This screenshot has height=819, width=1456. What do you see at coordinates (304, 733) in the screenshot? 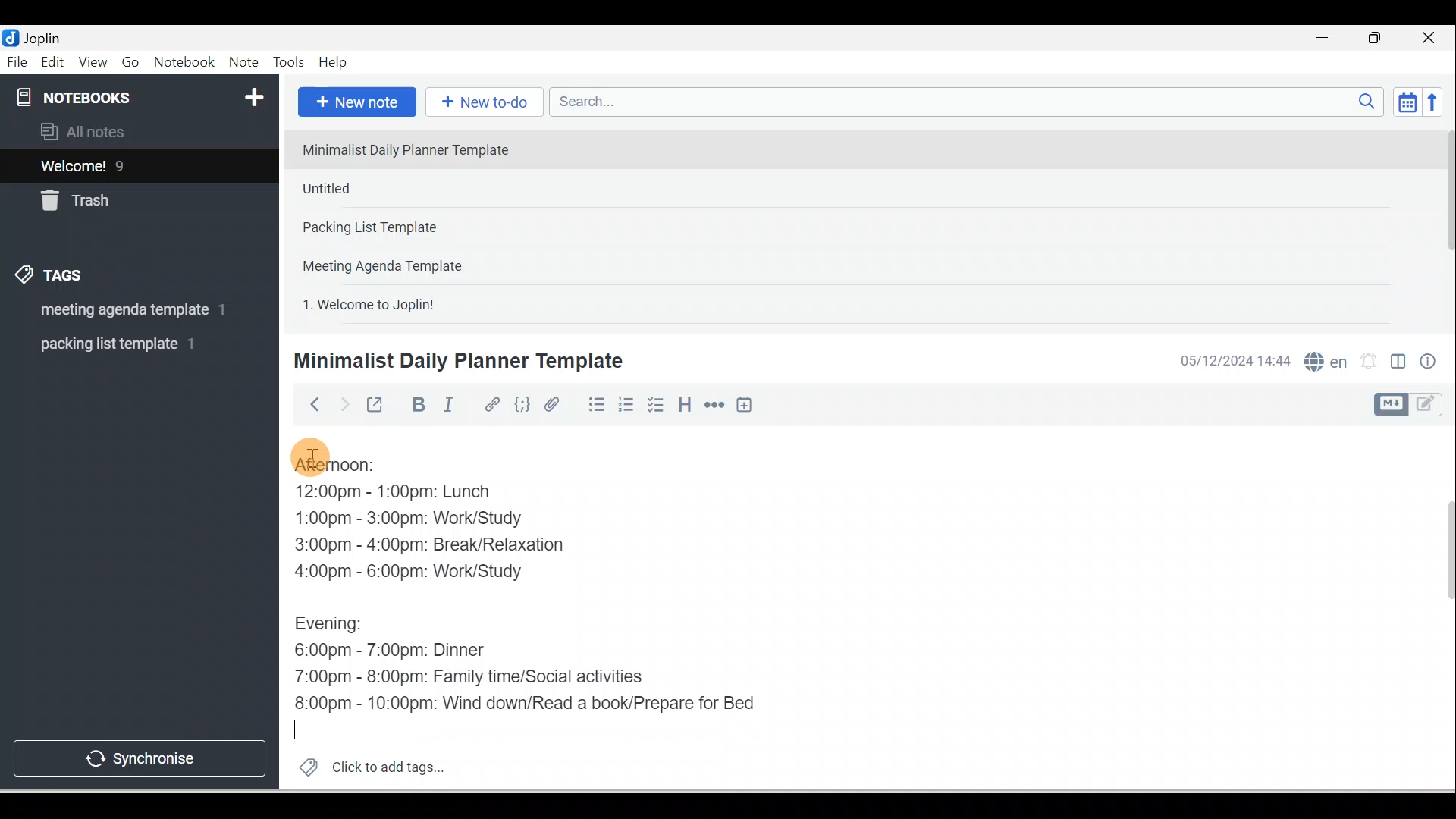
I see `Cursor` at bounding box center [304, 733].